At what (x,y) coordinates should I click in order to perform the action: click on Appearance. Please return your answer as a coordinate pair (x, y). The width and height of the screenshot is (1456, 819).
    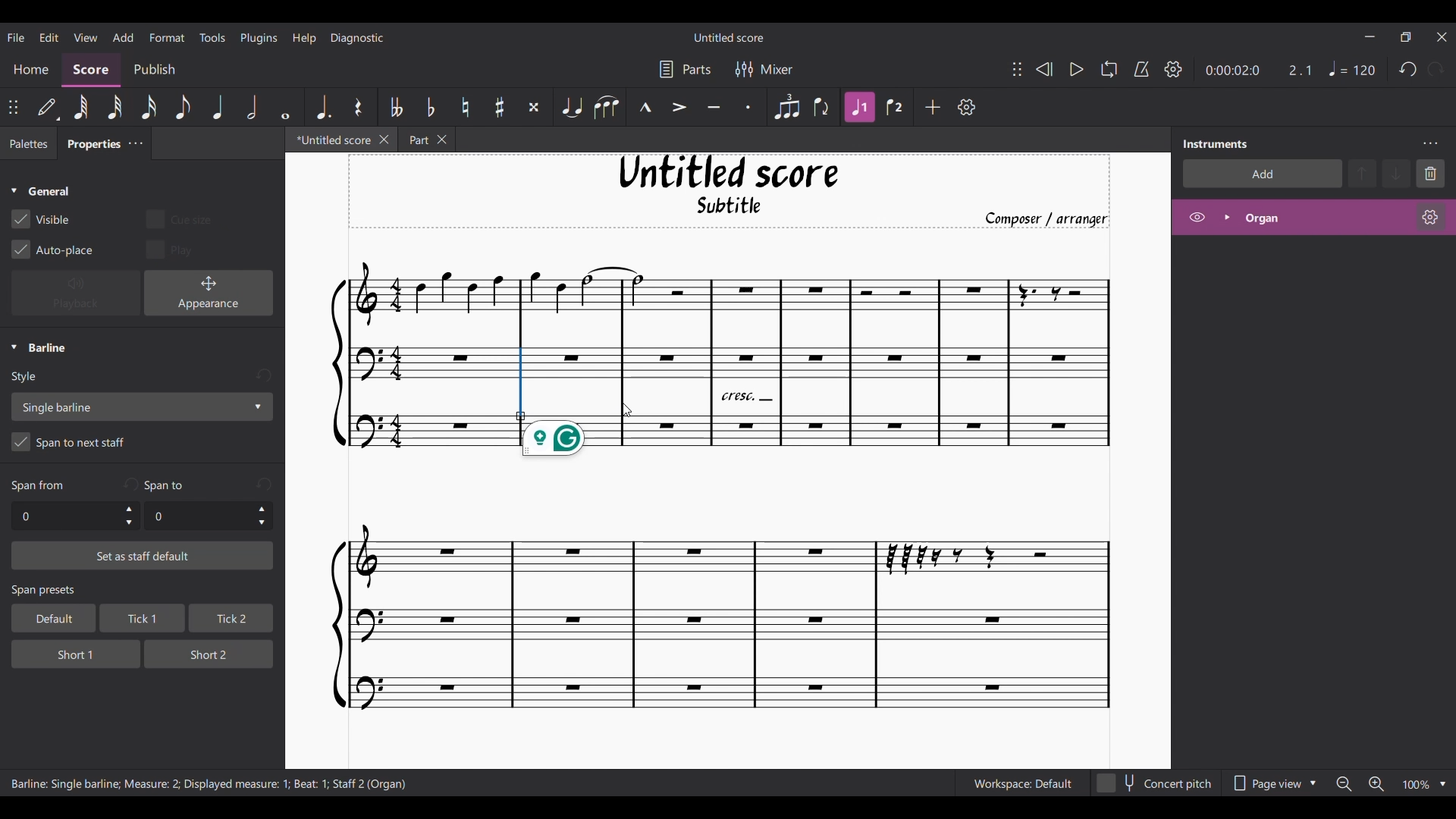
    Looking at the image, I should click on (209, 293).